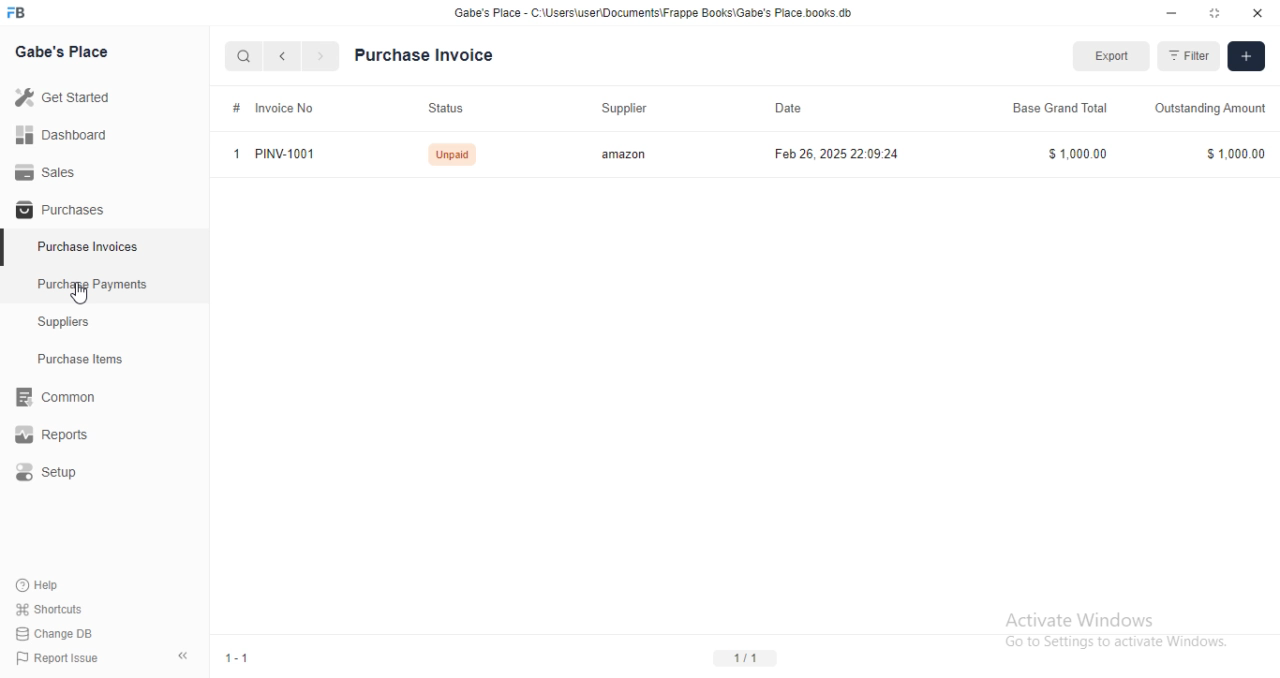  What do you see at coordinates (182, 655) in the screenshot?
I see `collapse sidebar` at bounding box center [182, 655].